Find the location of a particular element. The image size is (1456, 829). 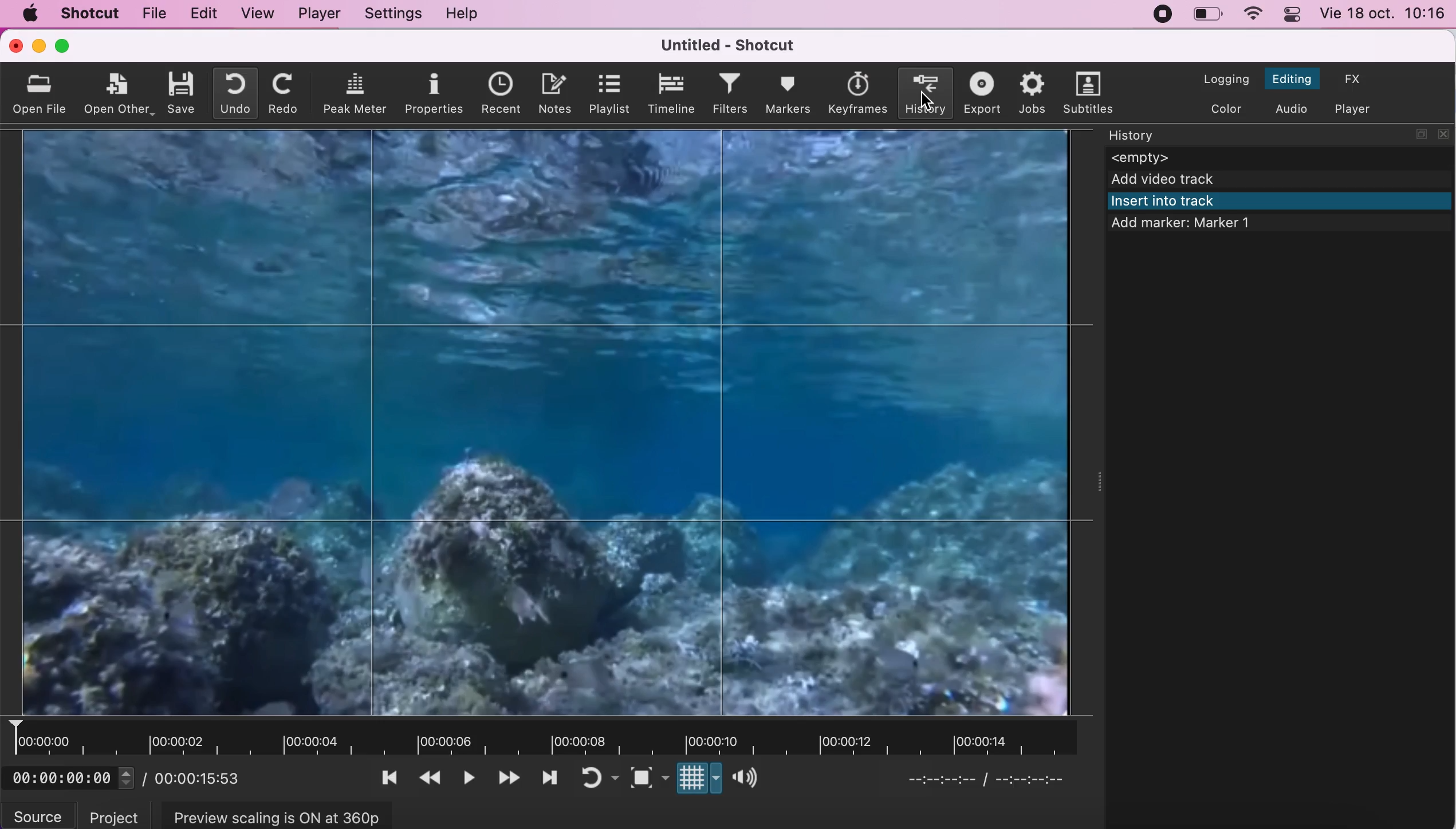

recording stopped is located at coordinates (1158, 14).